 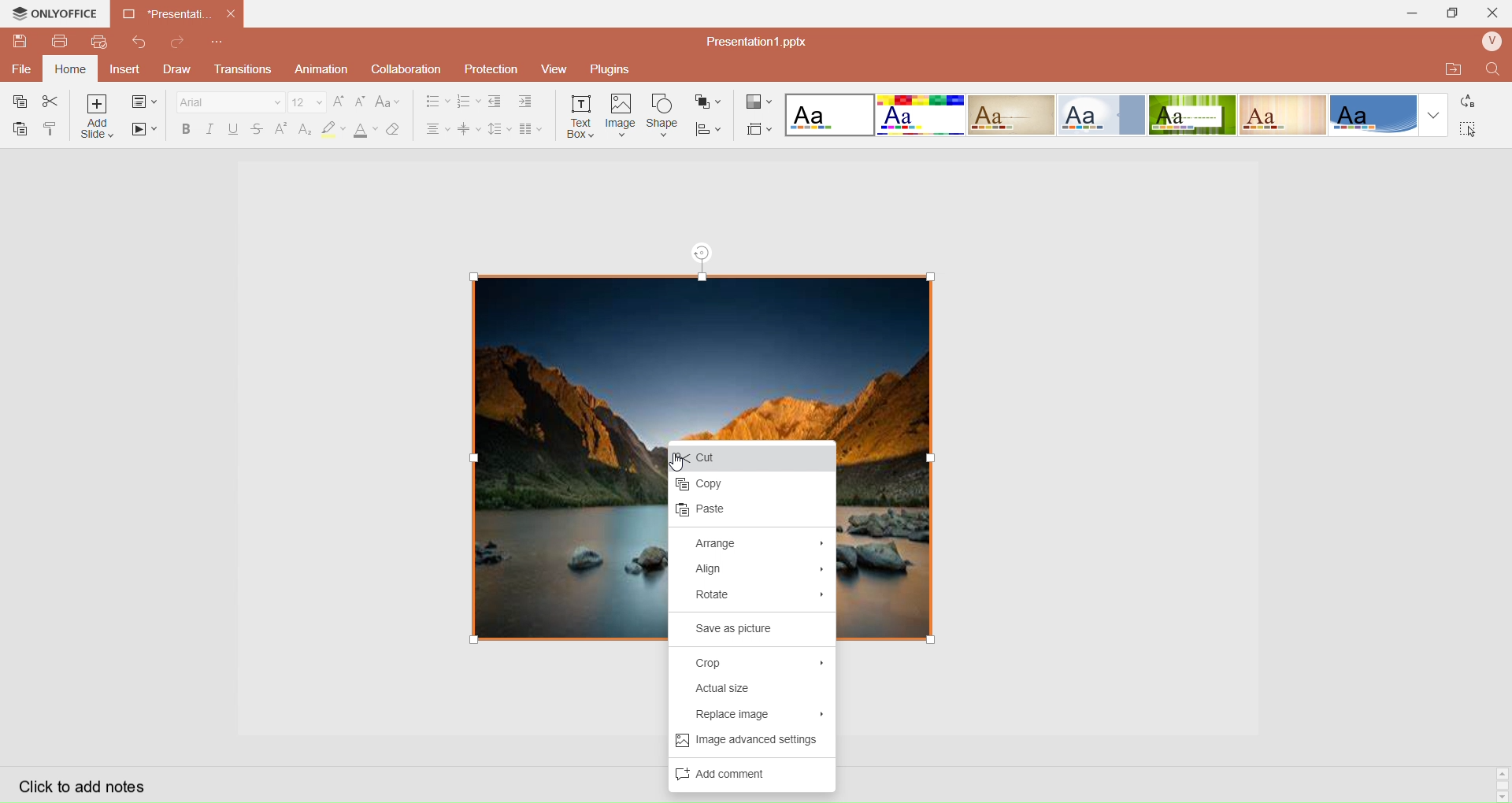 What do you see at coordinates (1417, 12) in the screenshot?
I see `Minimize` at bounding box center [1417, 12].